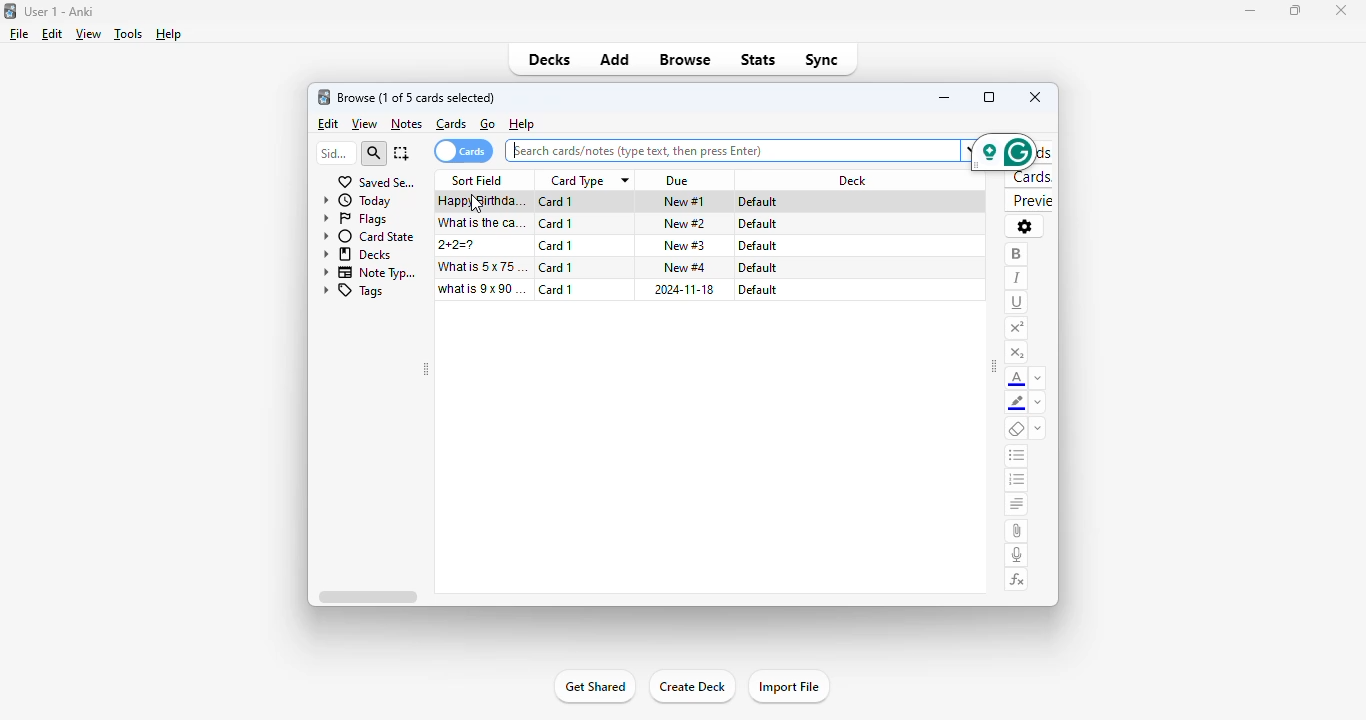 This screenshot has height=720, width=1366. What do you see at coordinates (488, 124) in the screenshot?
I see `go` at bounding box center [488, 124].